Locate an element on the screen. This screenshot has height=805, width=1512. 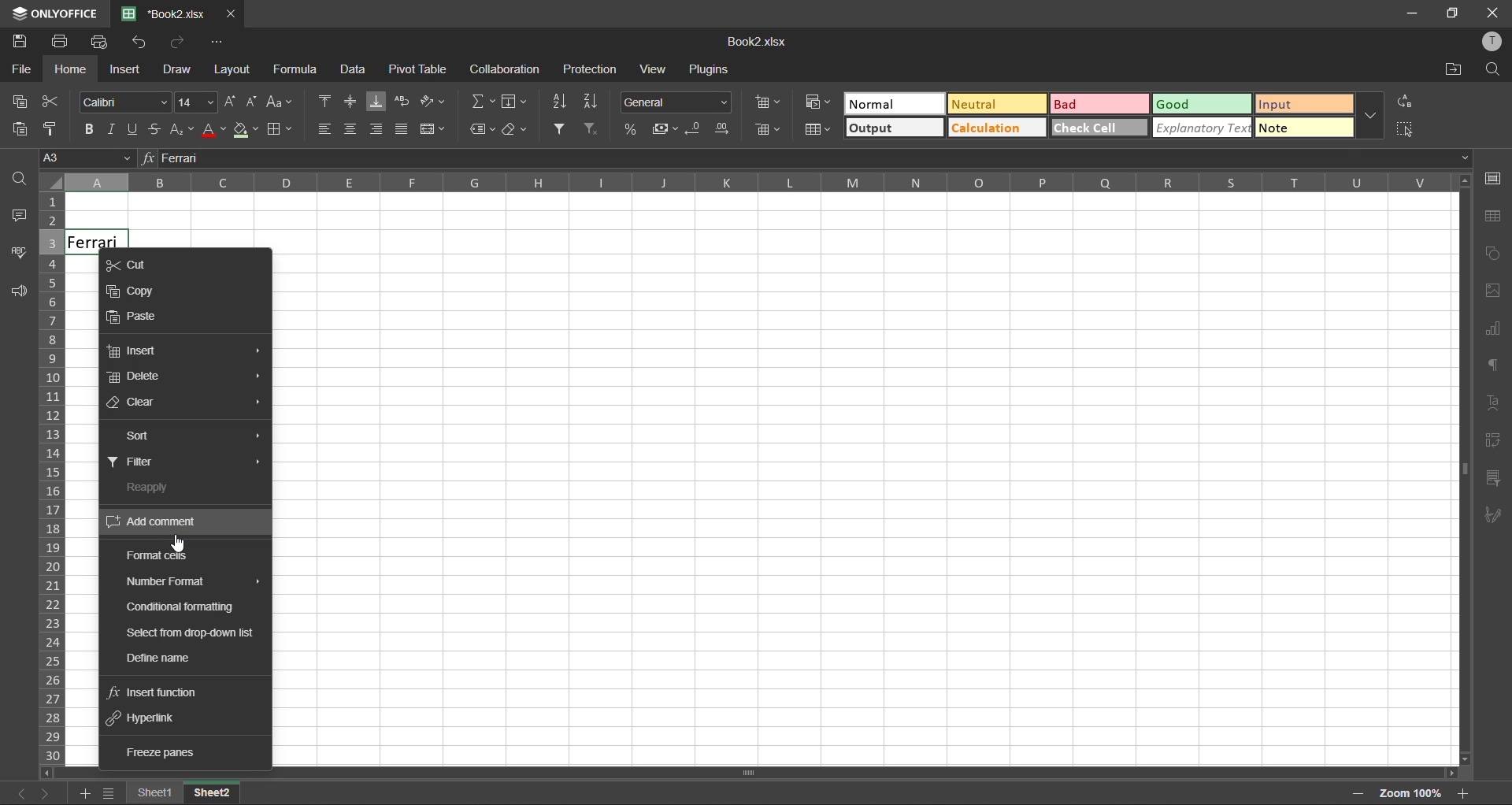
align top is located at coordinates (321, 104).